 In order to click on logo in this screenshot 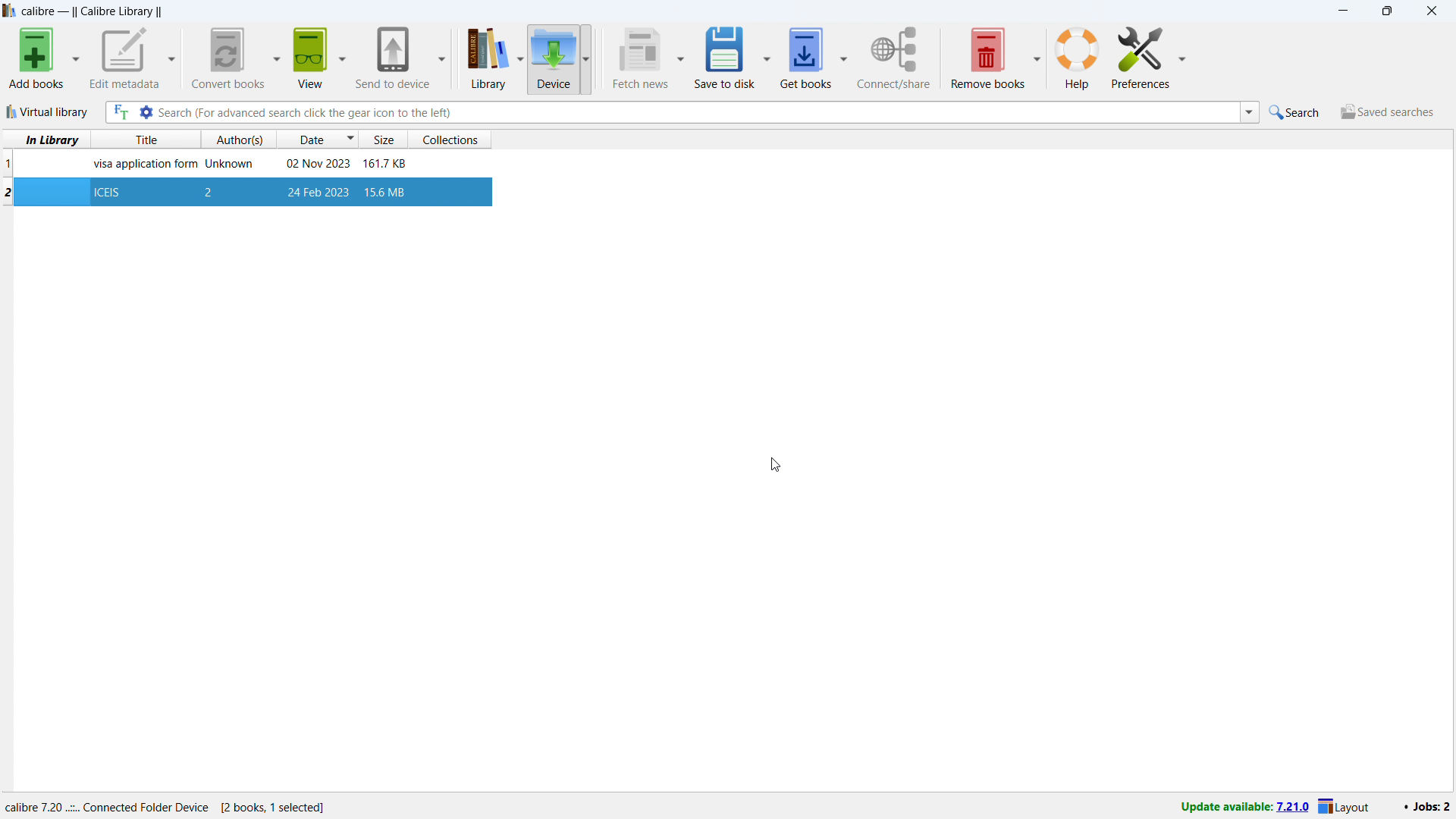, I will do `click(10, 11)`.